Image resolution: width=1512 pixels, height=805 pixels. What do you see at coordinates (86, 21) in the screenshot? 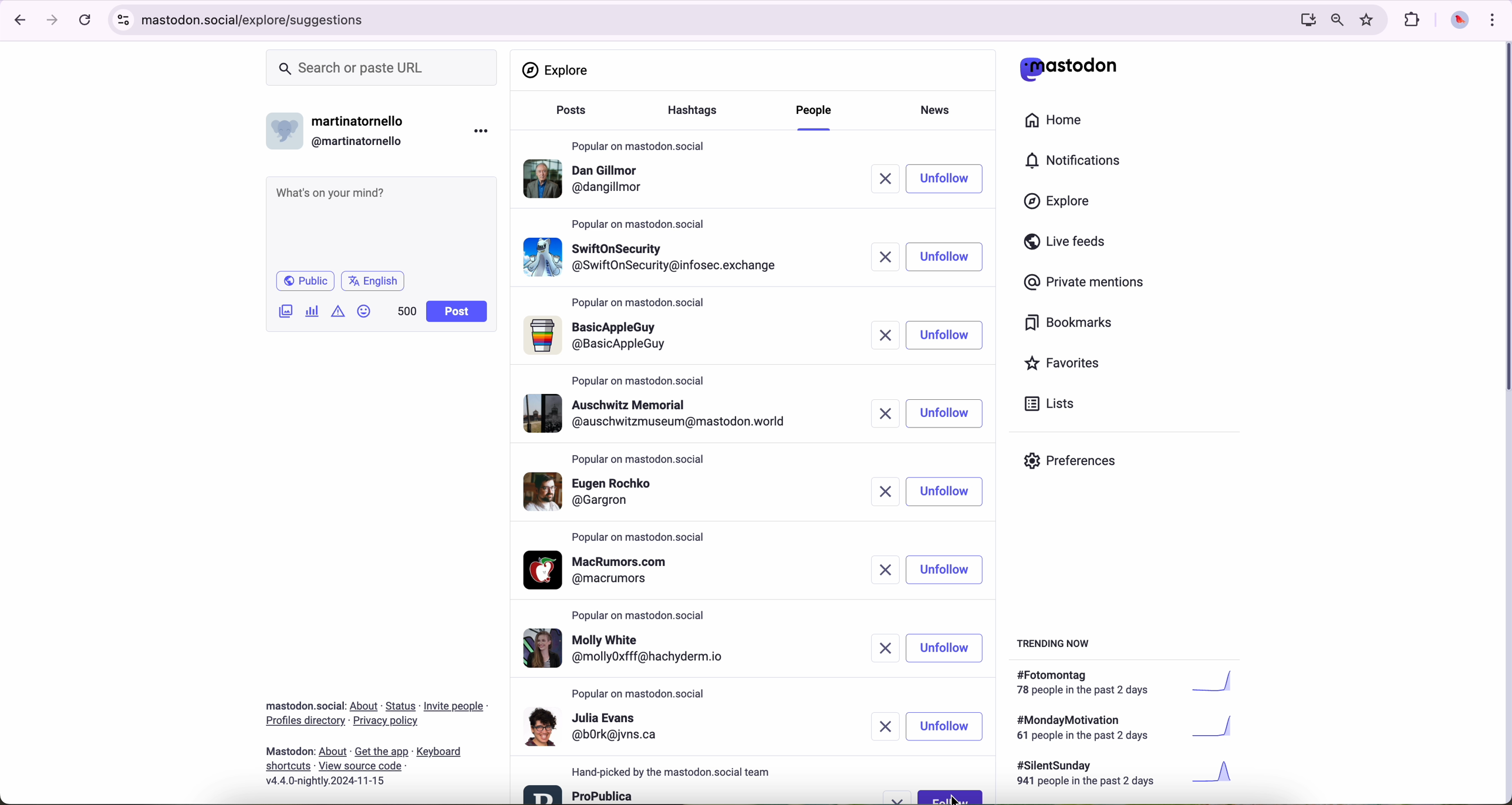
I see `refresh page` at bounding box center [86, 21].